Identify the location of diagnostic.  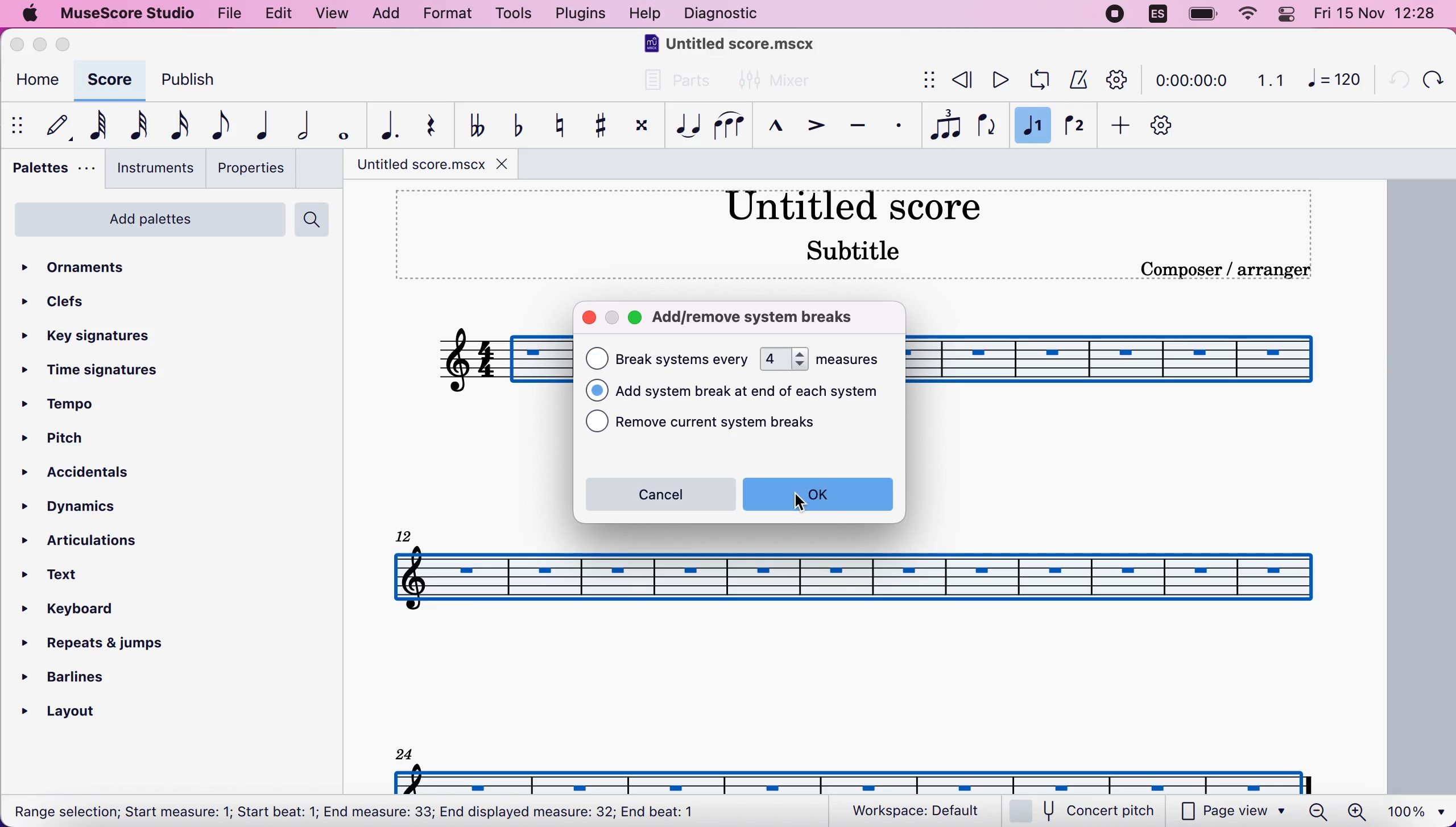
(725, 15).